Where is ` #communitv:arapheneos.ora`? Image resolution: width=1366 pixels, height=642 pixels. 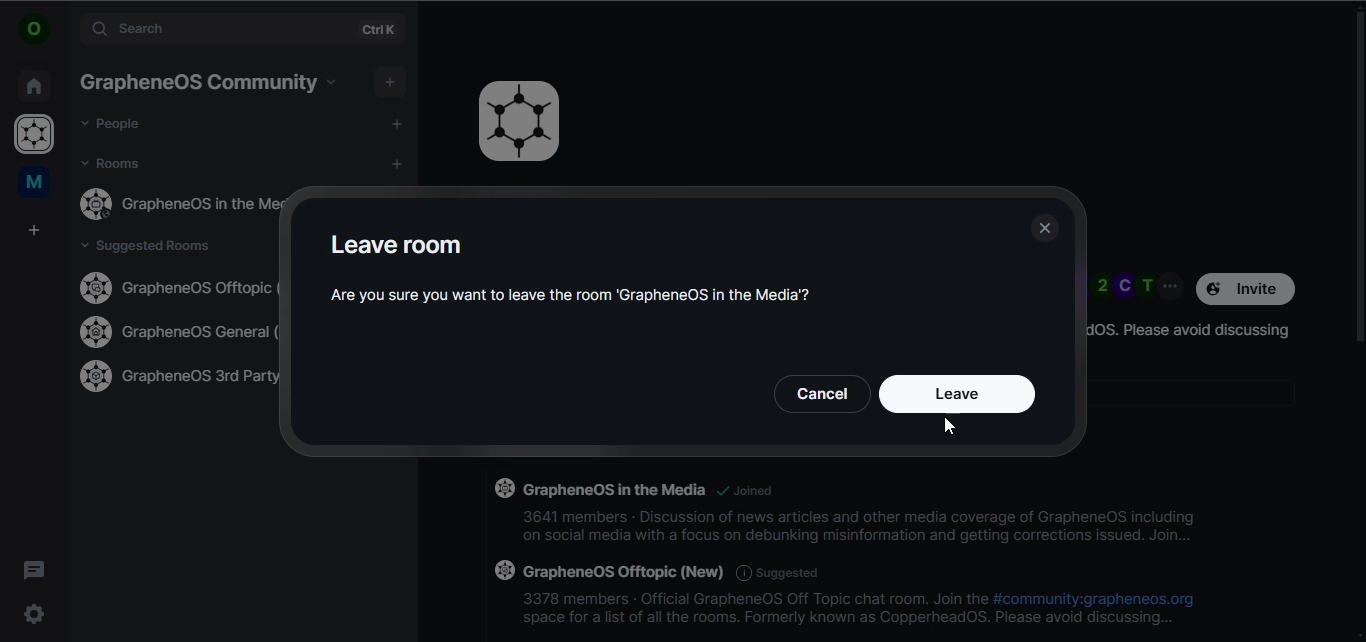  #communitv:arapheneos.ora is located at coordinates (1094, 599).